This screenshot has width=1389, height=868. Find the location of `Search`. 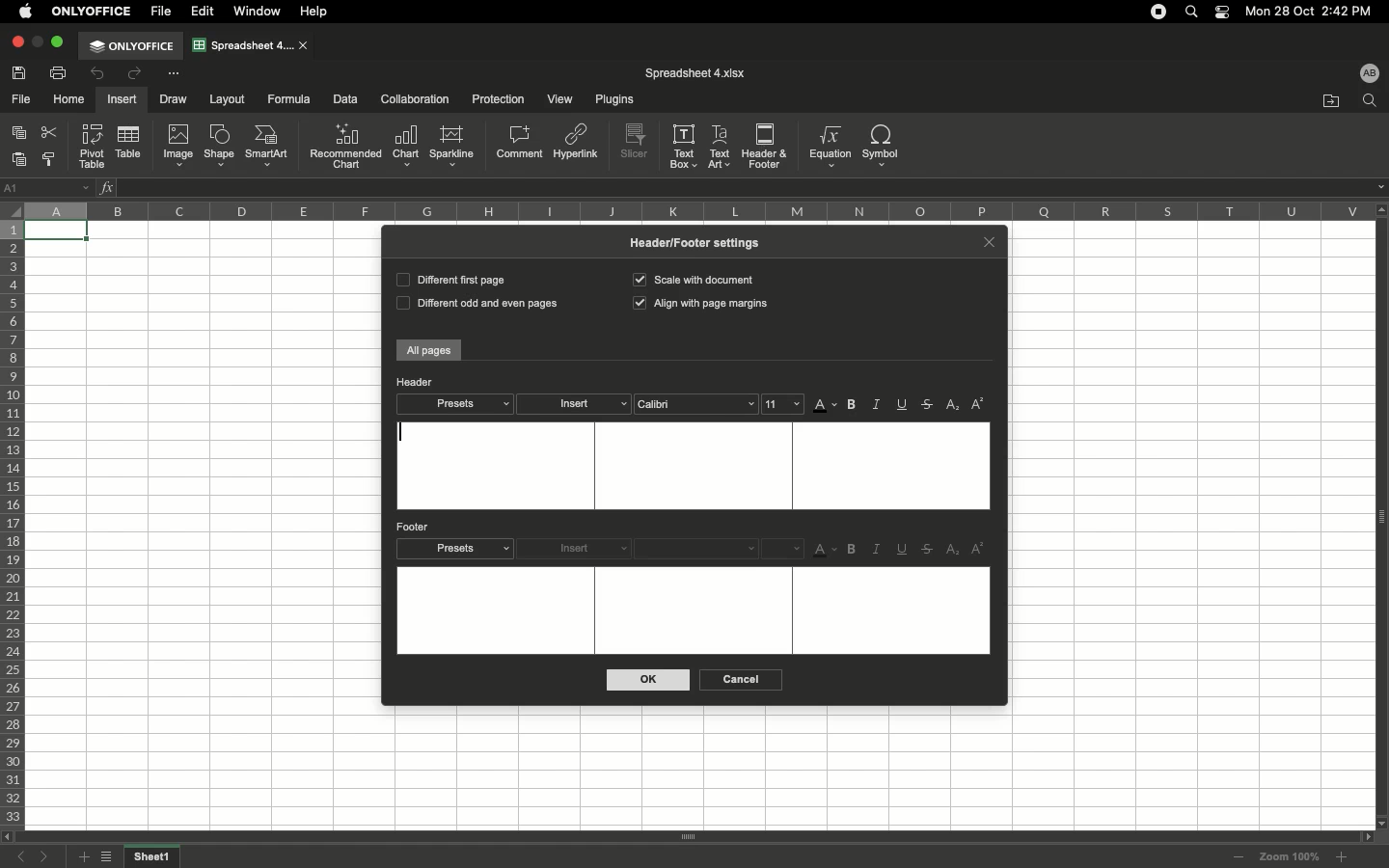

Search is located at coordinates (1194, 11).